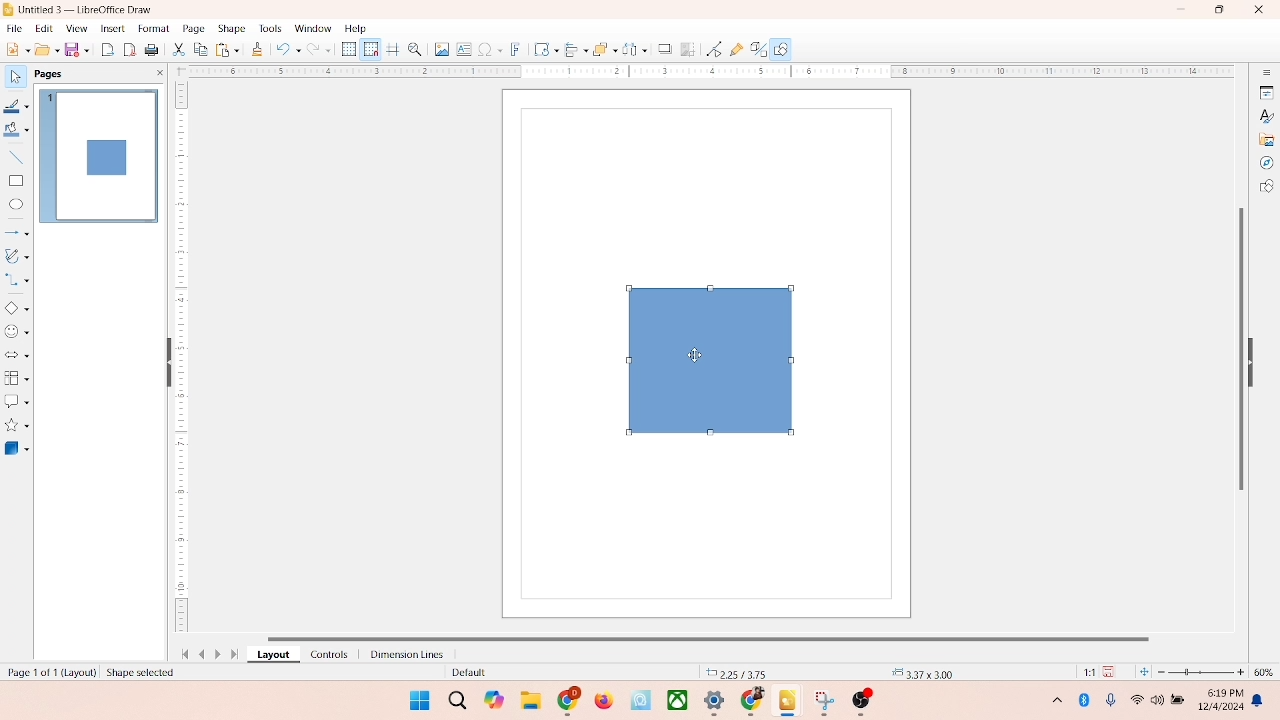  I want to click on insert line, so click(16, 157).